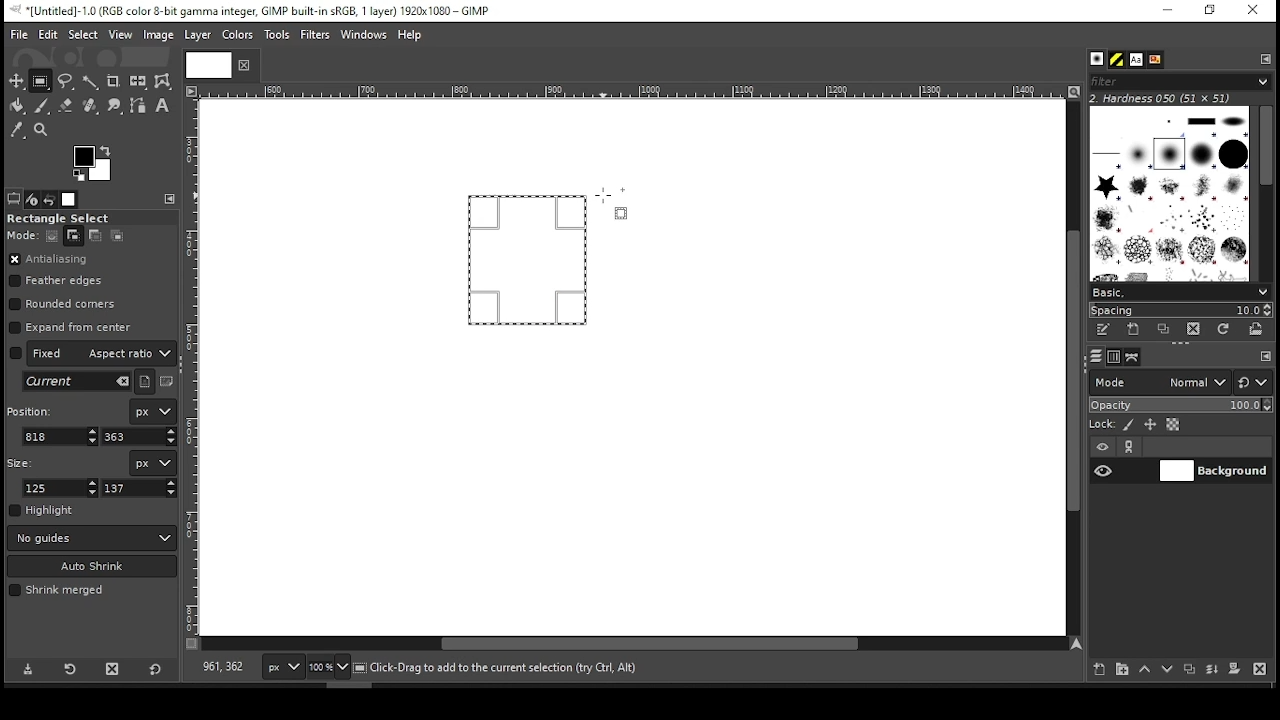 This screenshot has height=720, width=1280. I want to click on selection, so click(528, 260).